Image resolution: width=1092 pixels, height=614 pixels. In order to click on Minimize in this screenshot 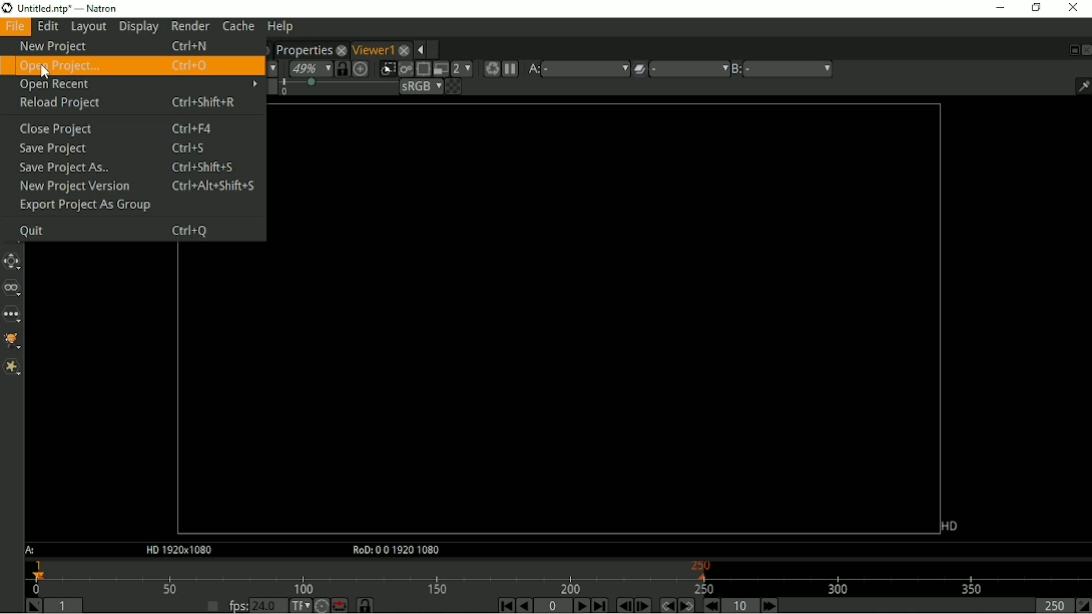, I will do `click(998, 7)`.